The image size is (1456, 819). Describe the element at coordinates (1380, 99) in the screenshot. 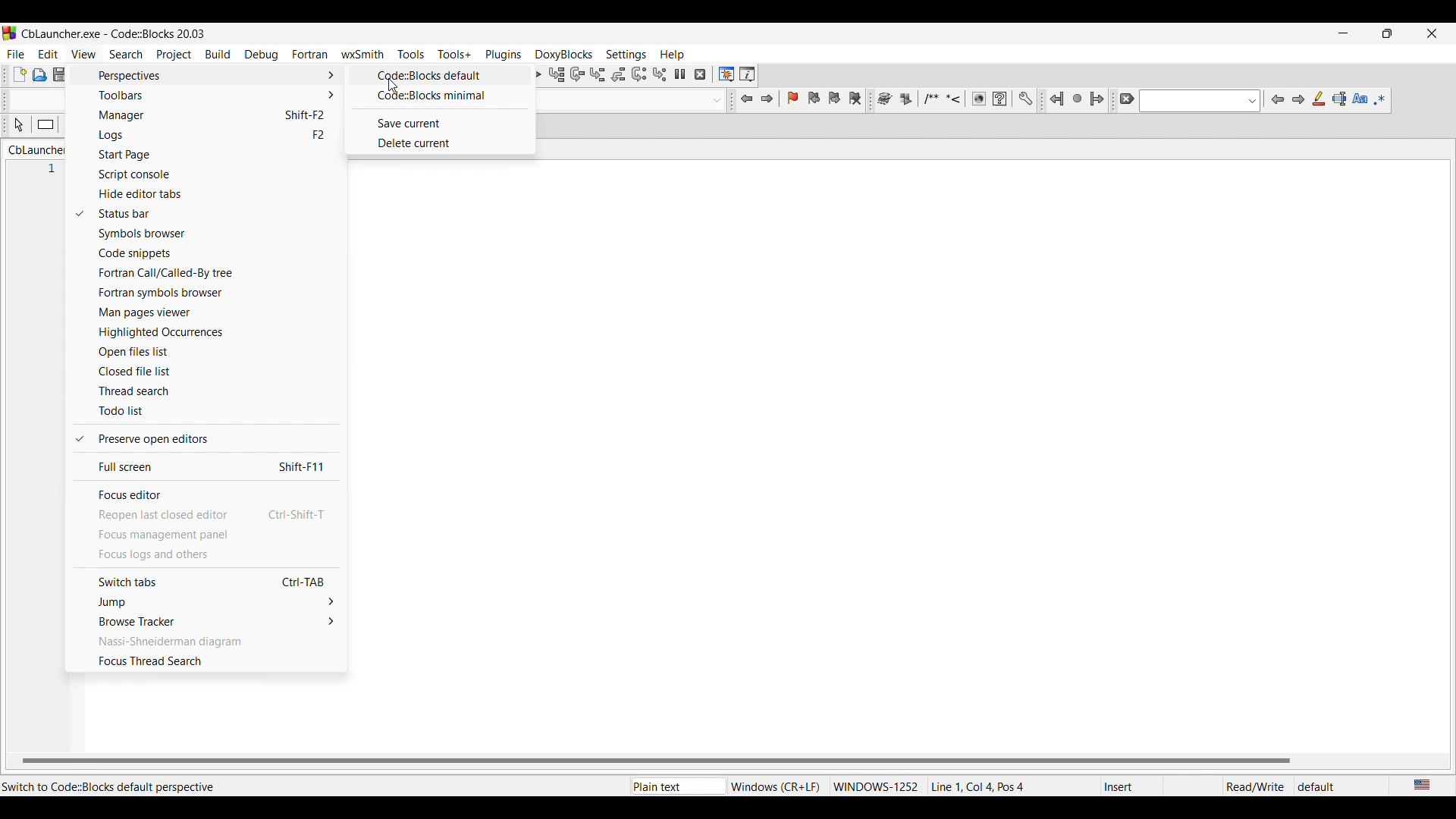

I see `Use regex` at that location.